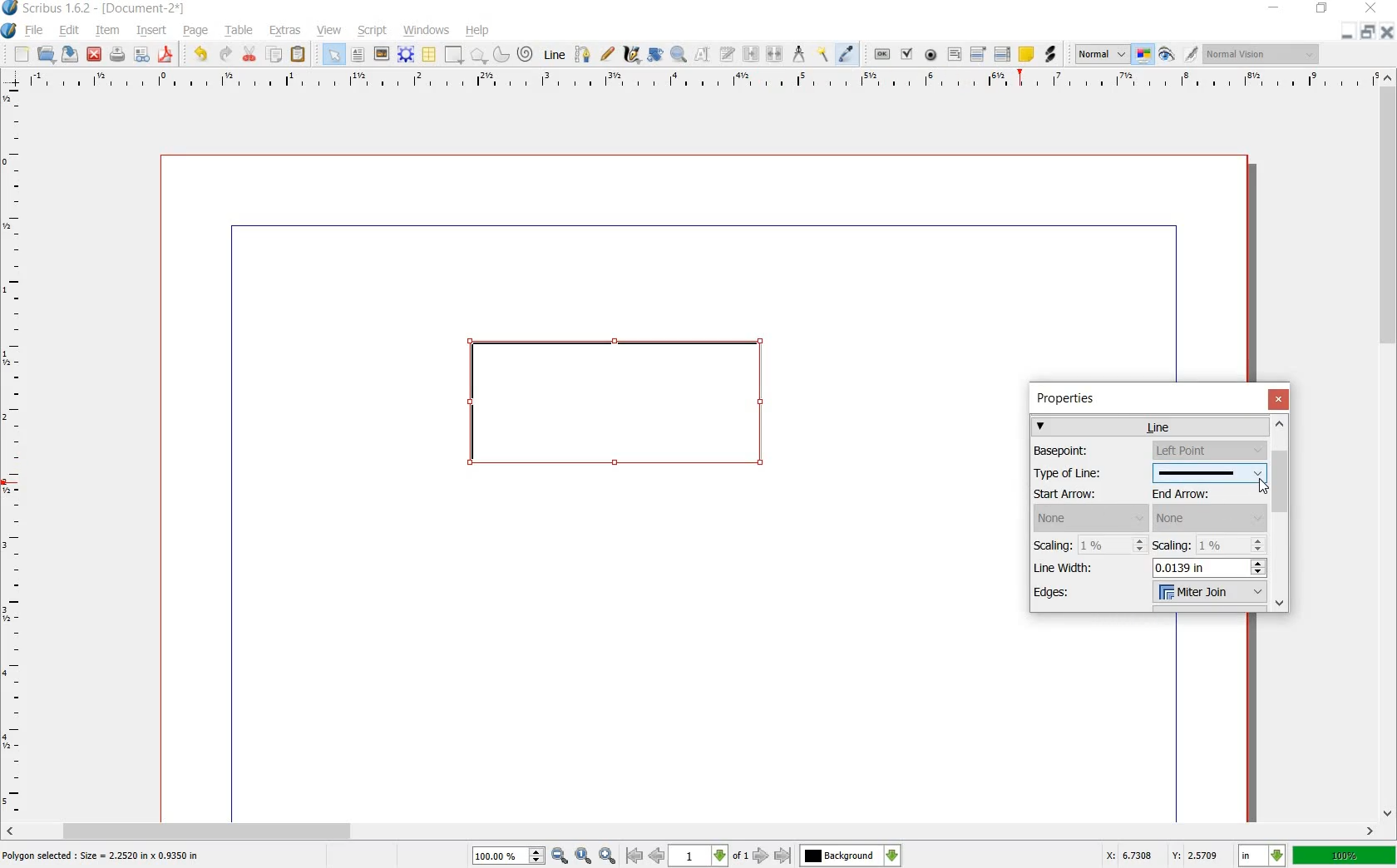 This screenshot has height=868, width=1397. What do you see at coordinates (117, 55) in the screenshot?
I see `PRINT` at bounding box center [117, 55].